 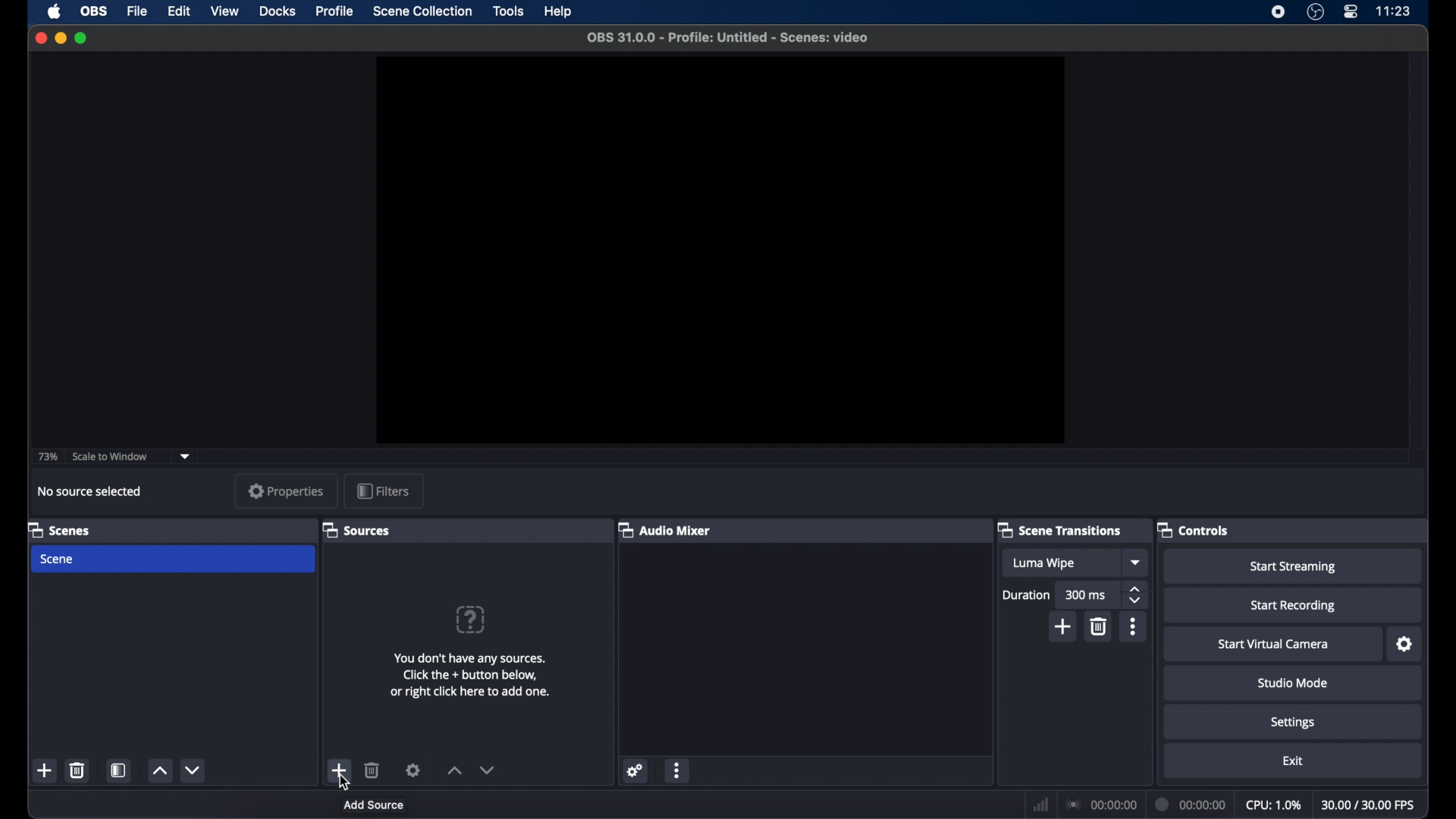 What do you see at coordinates (1103, 805) in the screenshot?
I see `connection` at bounding box center [1103, 805].